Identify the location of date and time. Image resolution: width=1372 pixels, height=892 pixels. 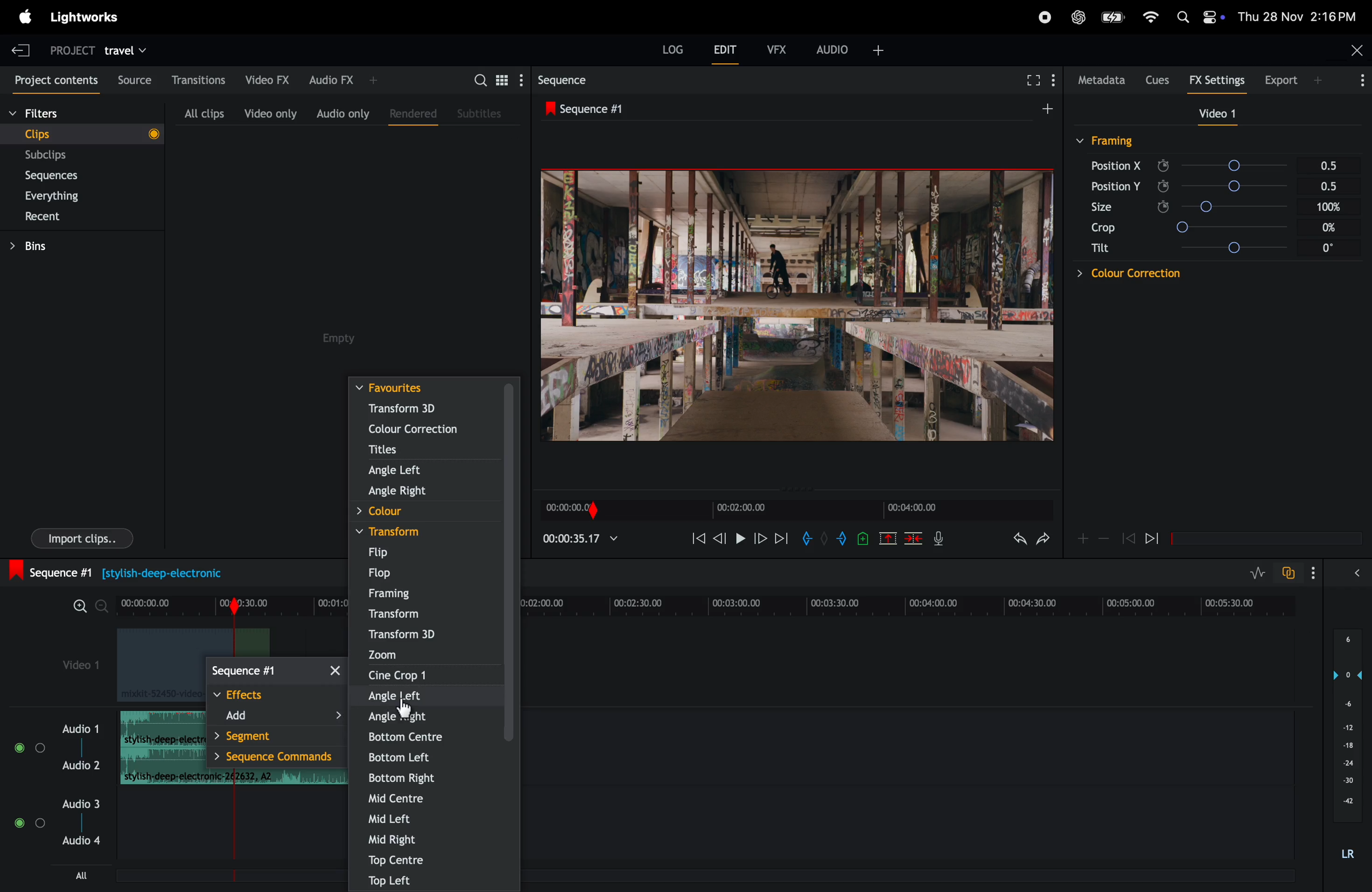
(1302, 16).